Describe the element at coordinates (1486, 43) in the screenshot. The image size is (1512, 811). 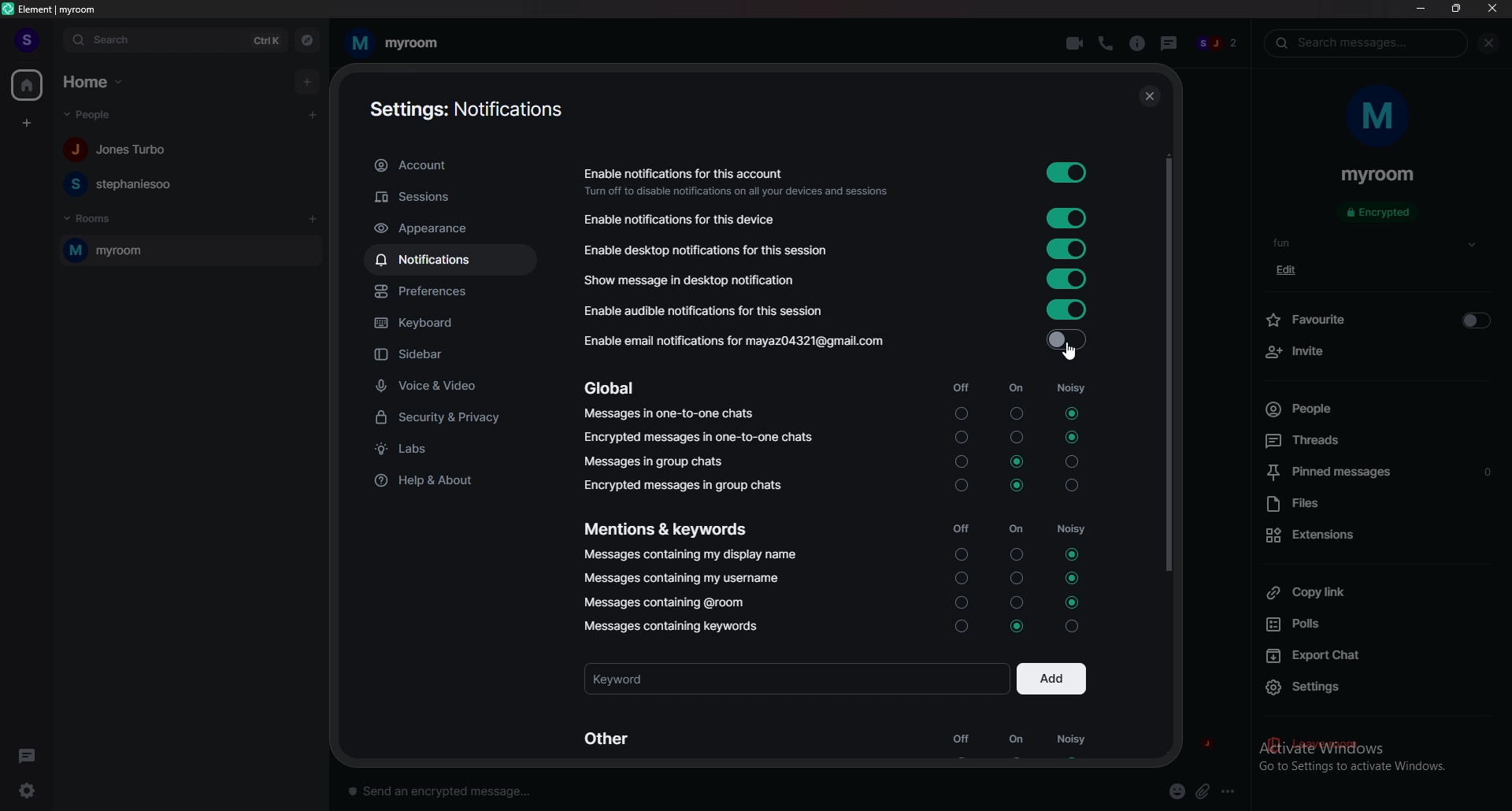
I see `close info` at that location.